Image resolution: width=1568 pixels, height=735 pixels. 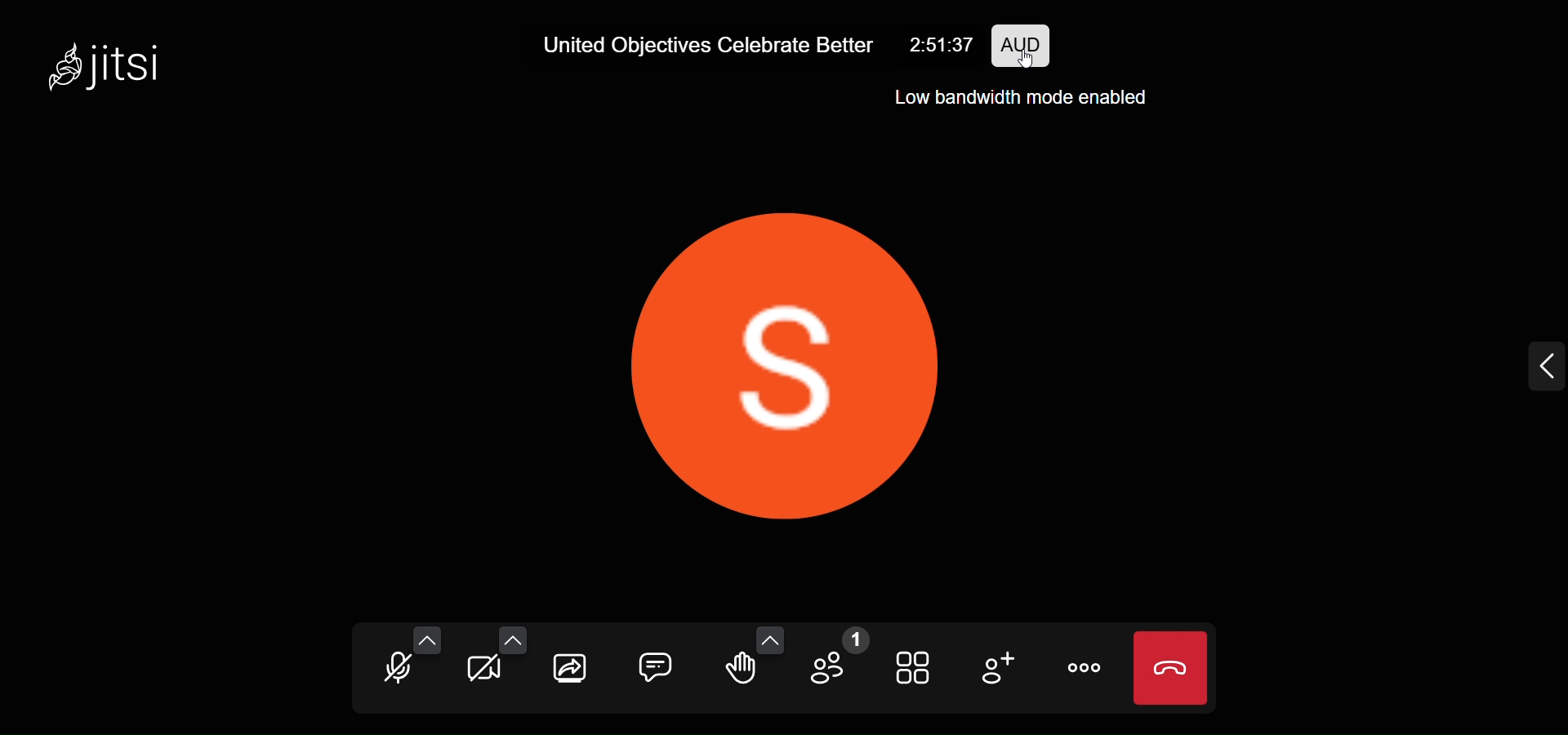 I want to click on expand, so click(x=1542, y=365).